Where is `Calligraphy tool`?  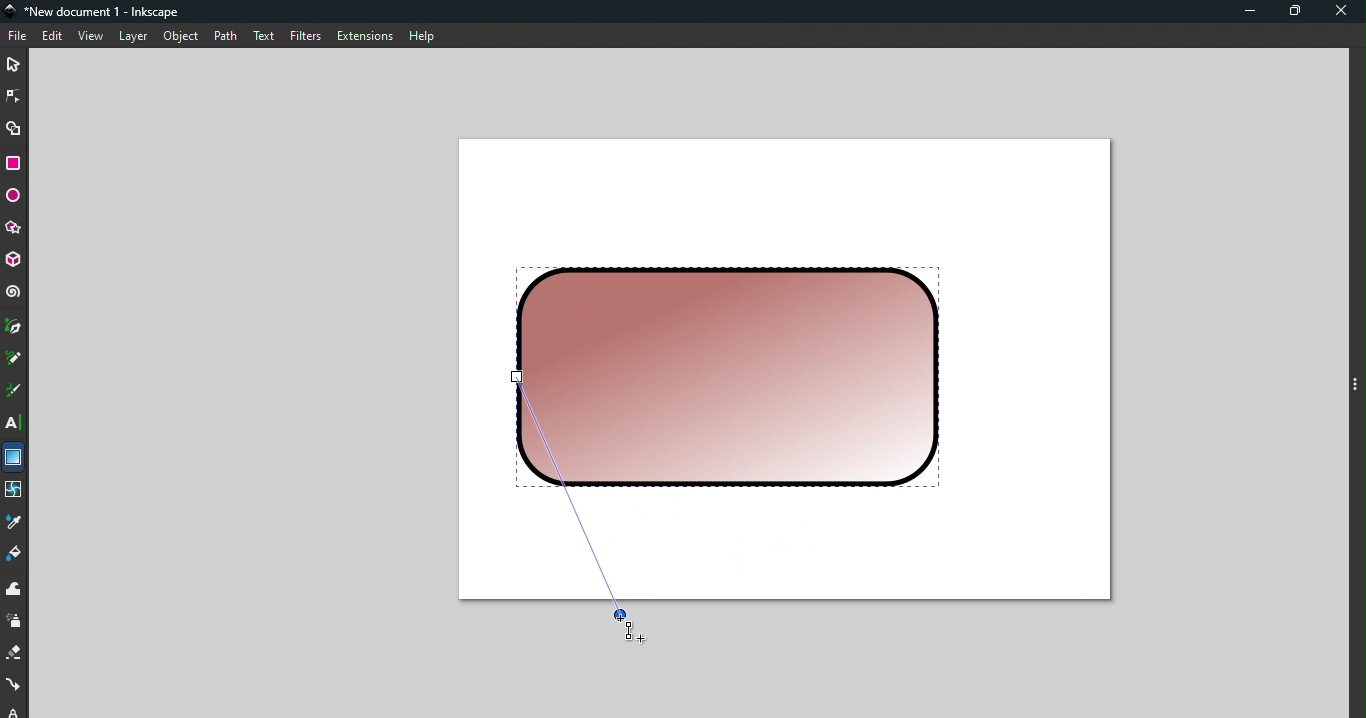 Calligraphy tool is located at coordinates (13, 393).